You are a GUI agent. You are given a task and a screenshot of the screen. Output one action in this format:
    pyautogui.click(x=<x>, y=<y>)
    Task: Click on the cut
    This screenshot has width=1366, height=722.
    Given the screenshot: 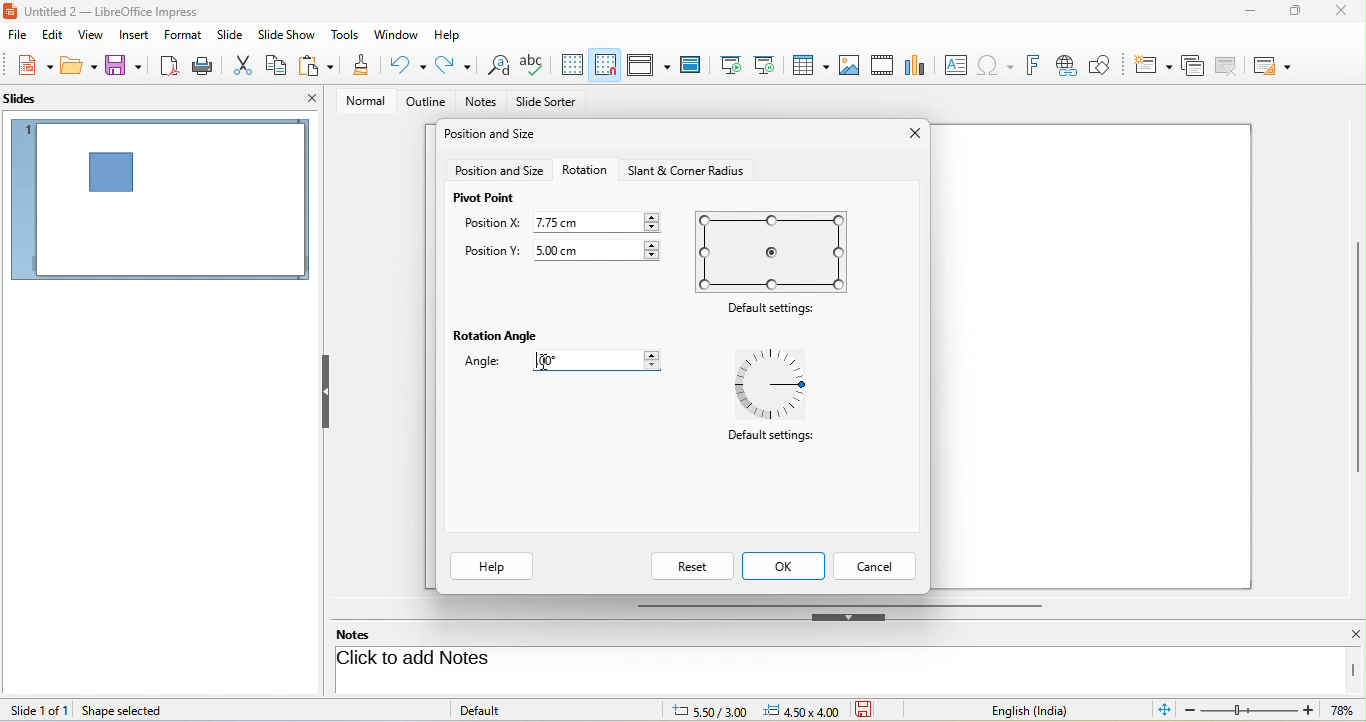 What is the action you would take?
    pyautogui.click(x=245, y=64)
    